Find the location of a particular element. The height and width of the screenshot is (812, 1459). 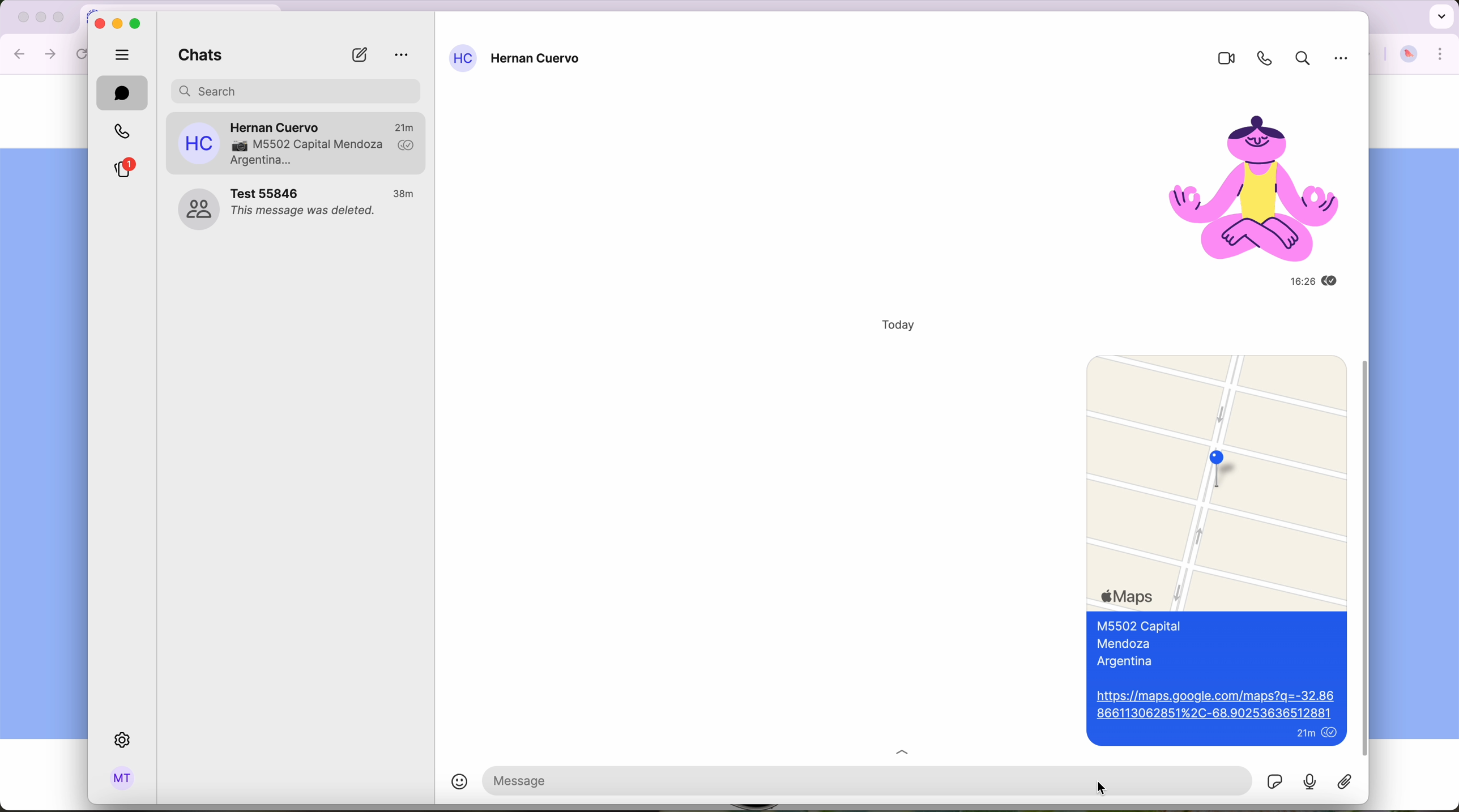

Yogo sticker is located at coordinates (1243, 177).